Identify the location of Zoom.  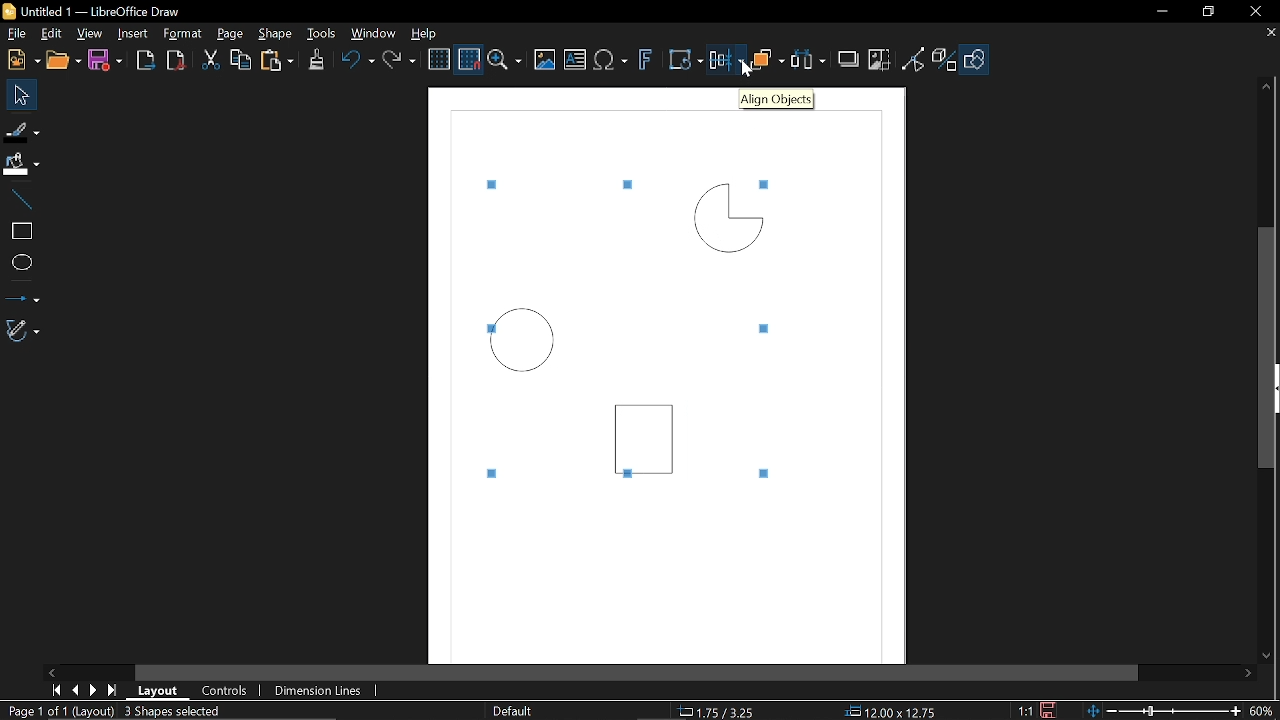
(1262, 711).